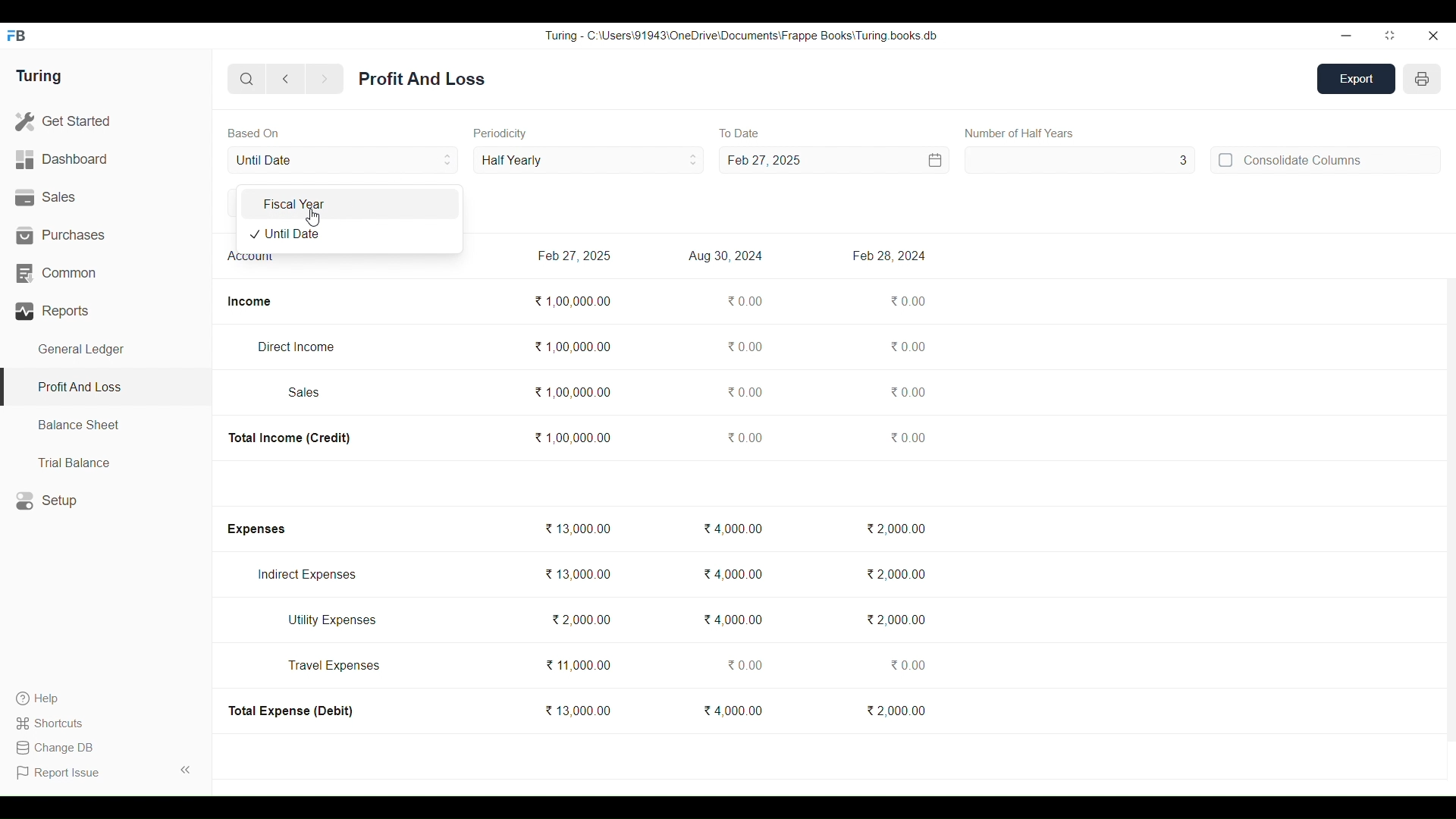 The width and height of the screenshot is (1456, 819). Describe the element at coordinates (1325, 159) in the screenshot. I see `Consolidate Columns` at that location.